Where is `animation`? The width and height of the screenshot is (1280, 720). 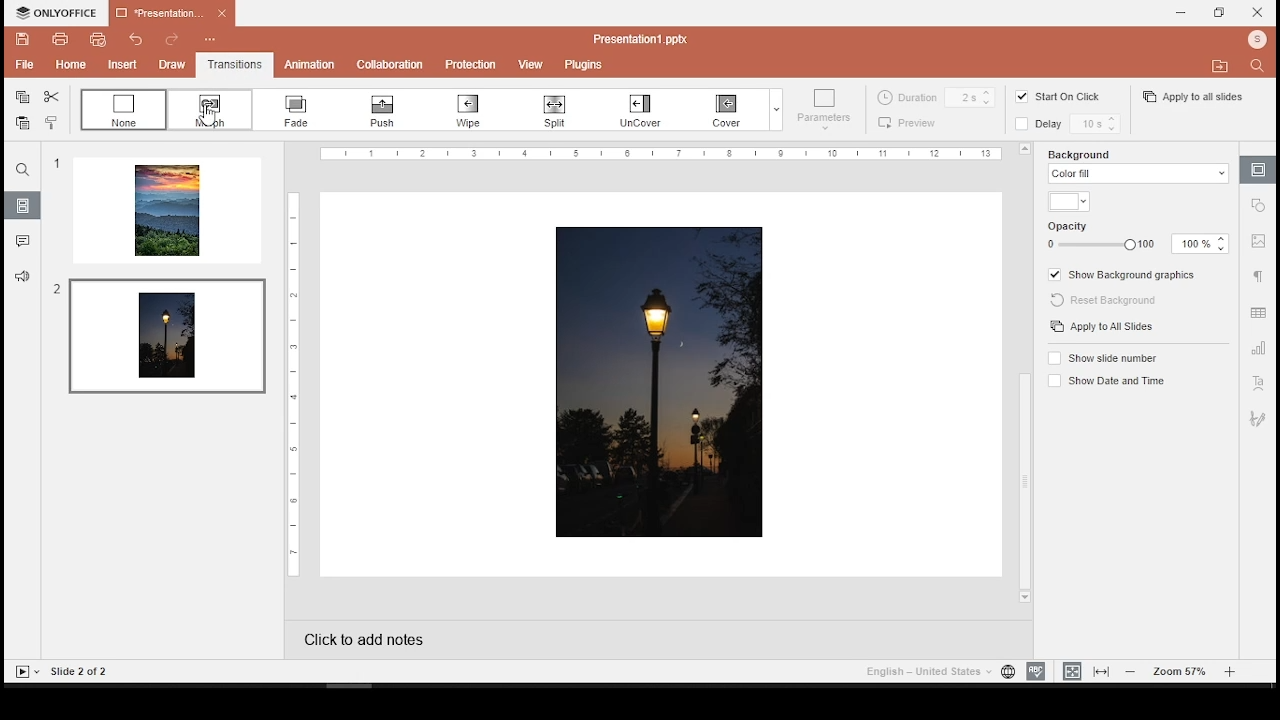
animation is located at coordinates (311, 65).